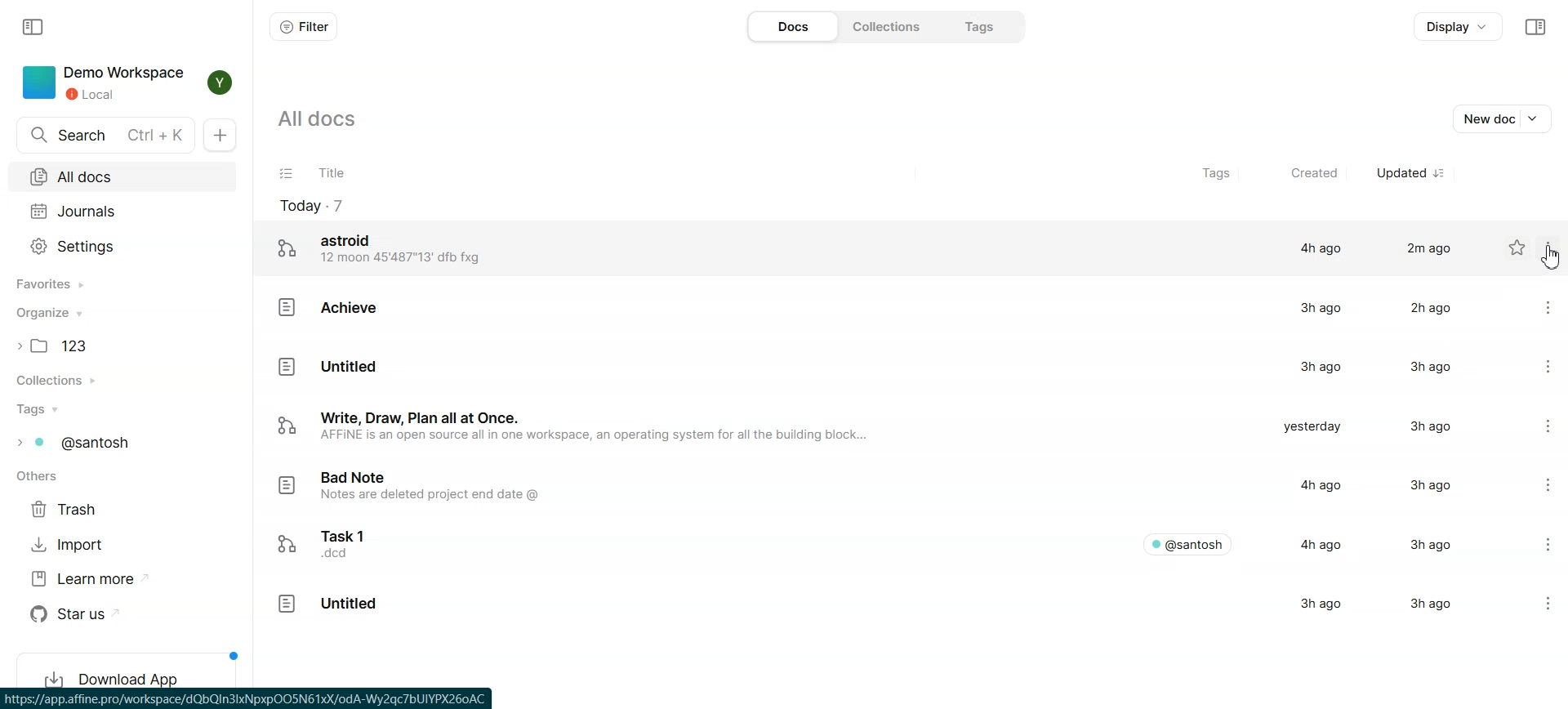 The width and height of the screenshot is (1568, 709). What do you see at coordinates (35, 27) in the screenshot?
I see `Collapse sidebar` at bounding box center [35, 27].